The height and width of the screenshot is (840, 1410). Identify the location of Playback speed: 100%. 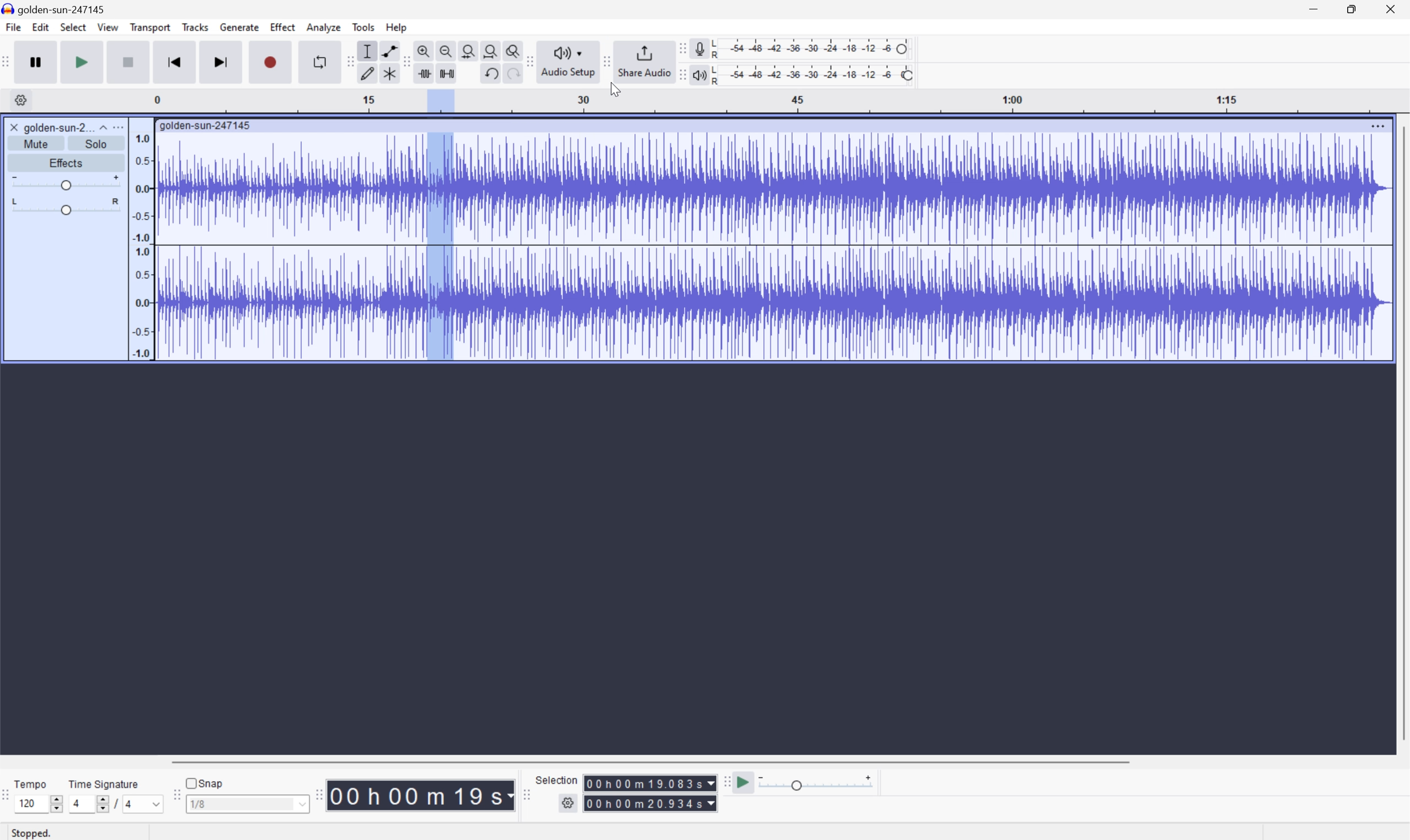
(814, 73).